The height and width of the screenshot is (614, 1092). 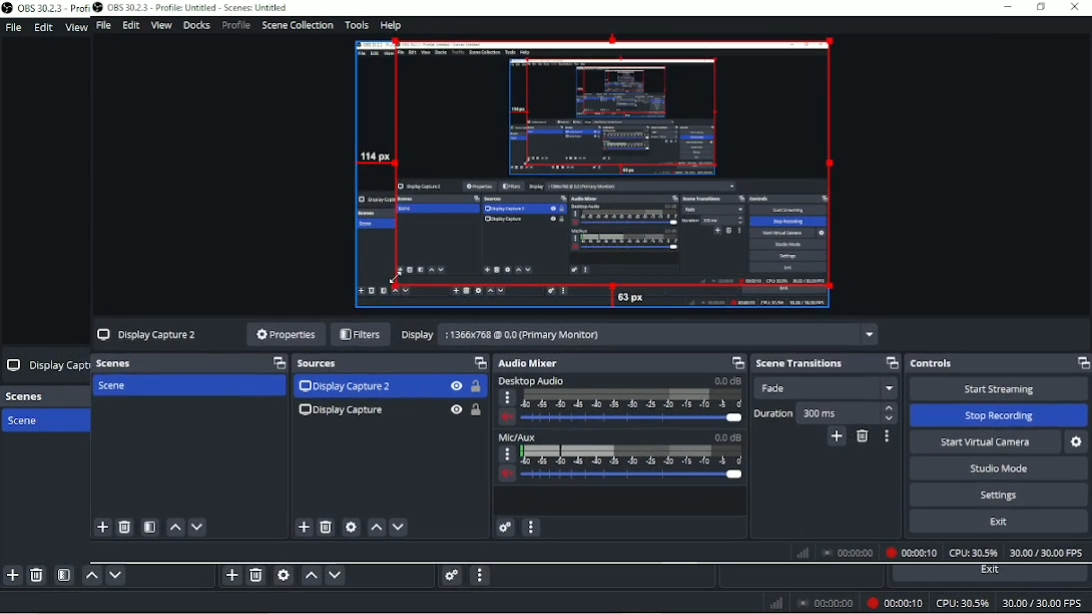 What do you see at coordinates (117, 363) in the screenshot?
I see `Scenes` at bounding box center [117, 363].